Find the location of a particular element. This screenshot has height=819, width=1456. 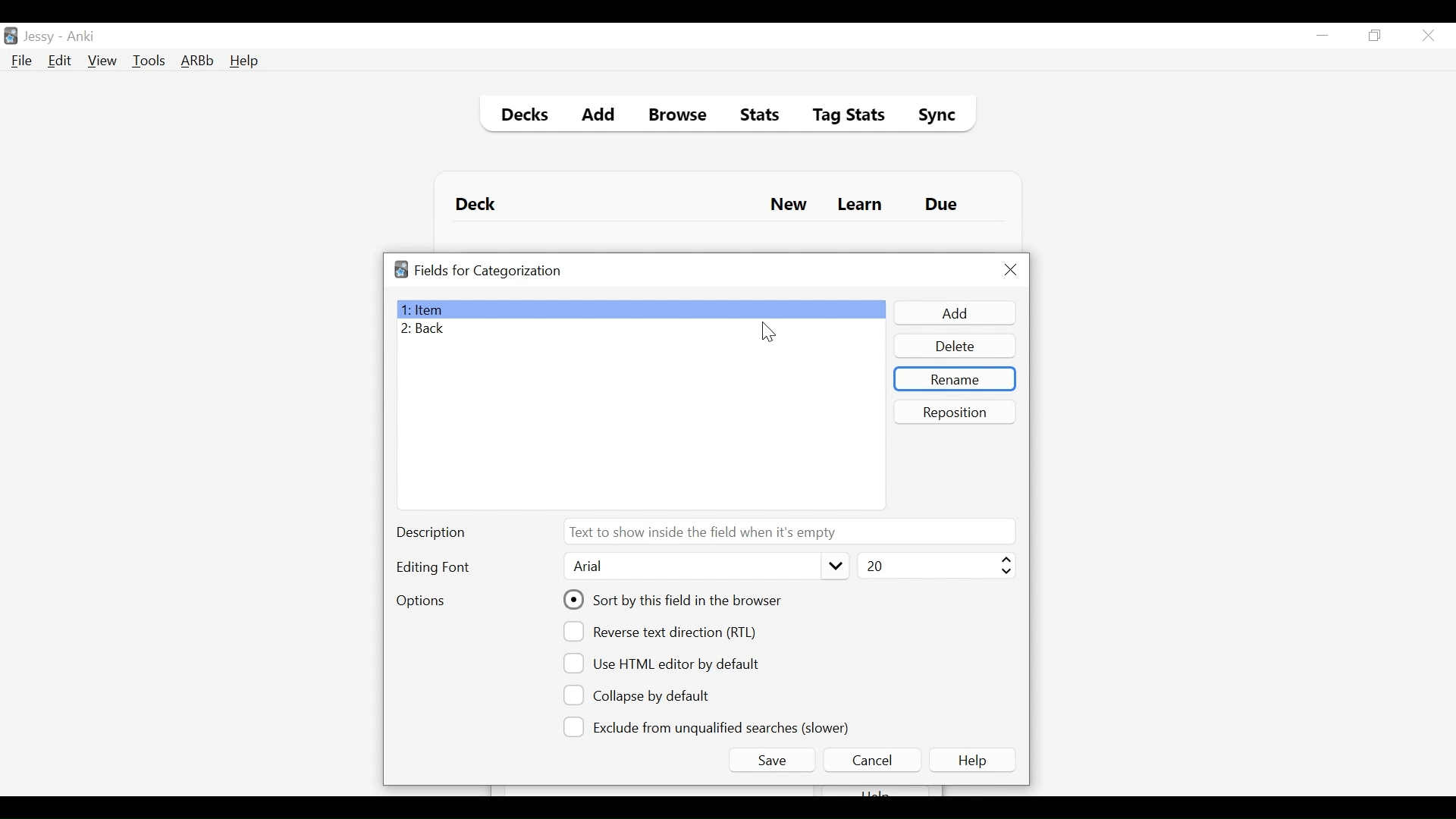

Add is located at coordinates (953, 313).